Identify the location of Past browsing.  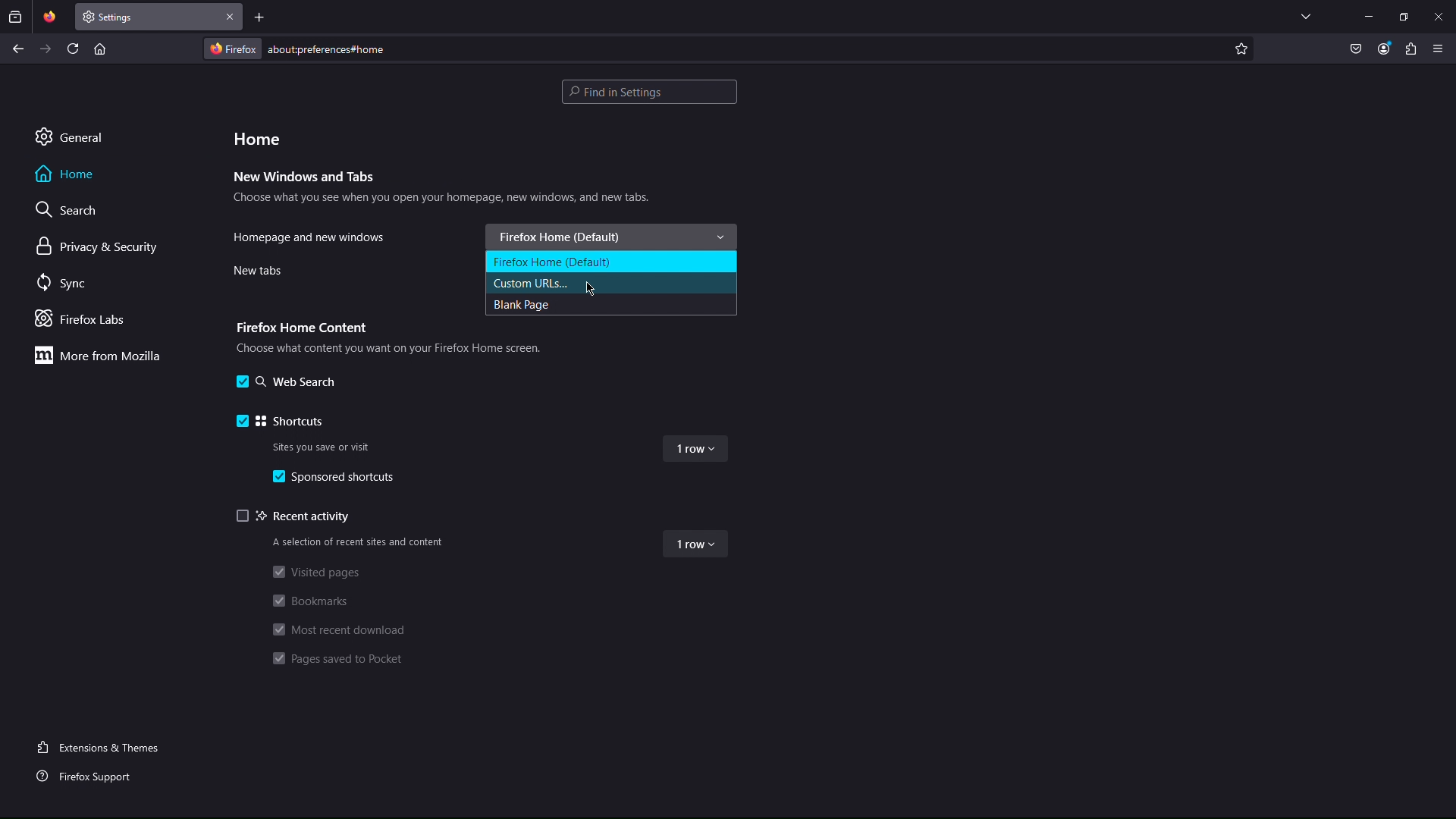
(15, 17).